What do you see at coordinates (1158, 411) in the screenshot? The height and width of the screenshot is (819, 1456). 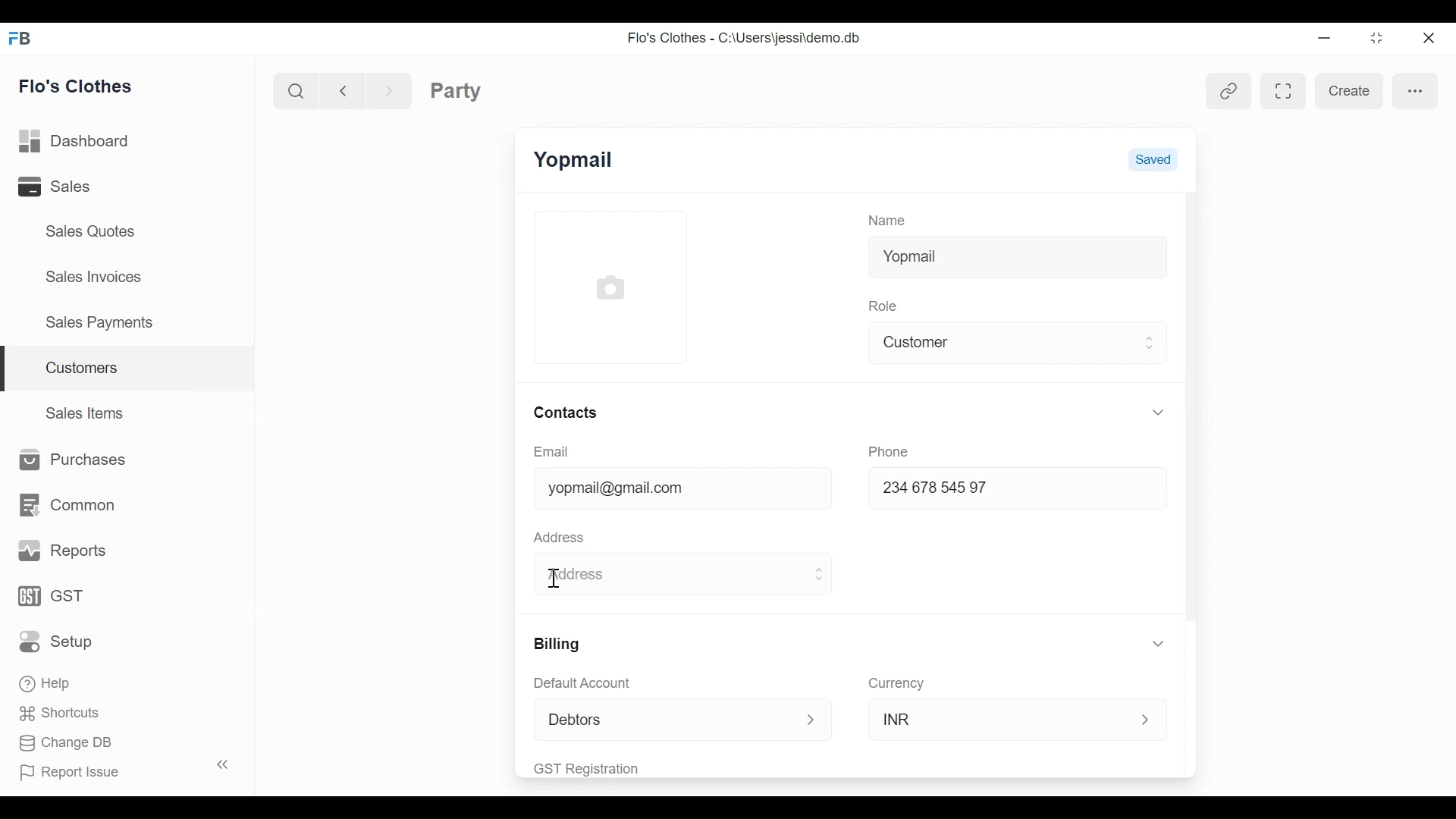 I see `Expand` at bounding box center [1158, 411].